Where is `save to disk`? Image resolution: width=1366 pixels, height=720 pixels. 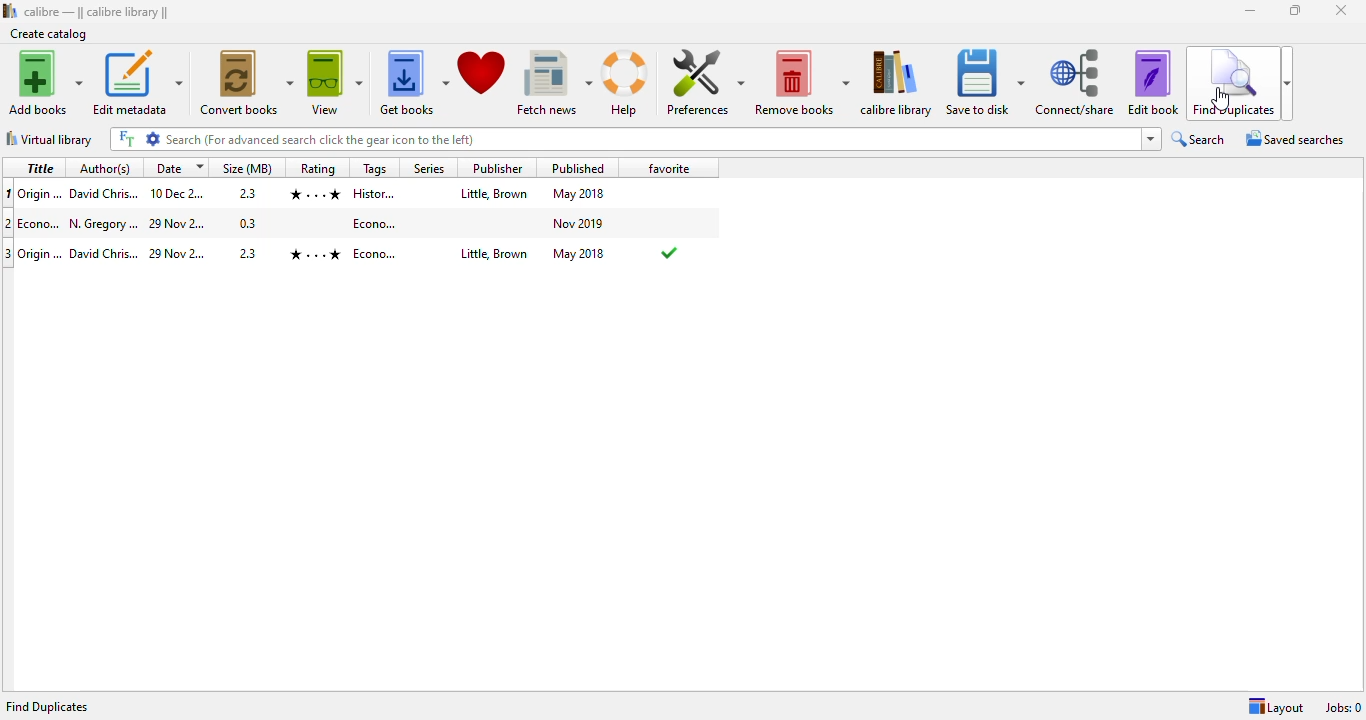
save to disk is located at coordinates (986, 83).